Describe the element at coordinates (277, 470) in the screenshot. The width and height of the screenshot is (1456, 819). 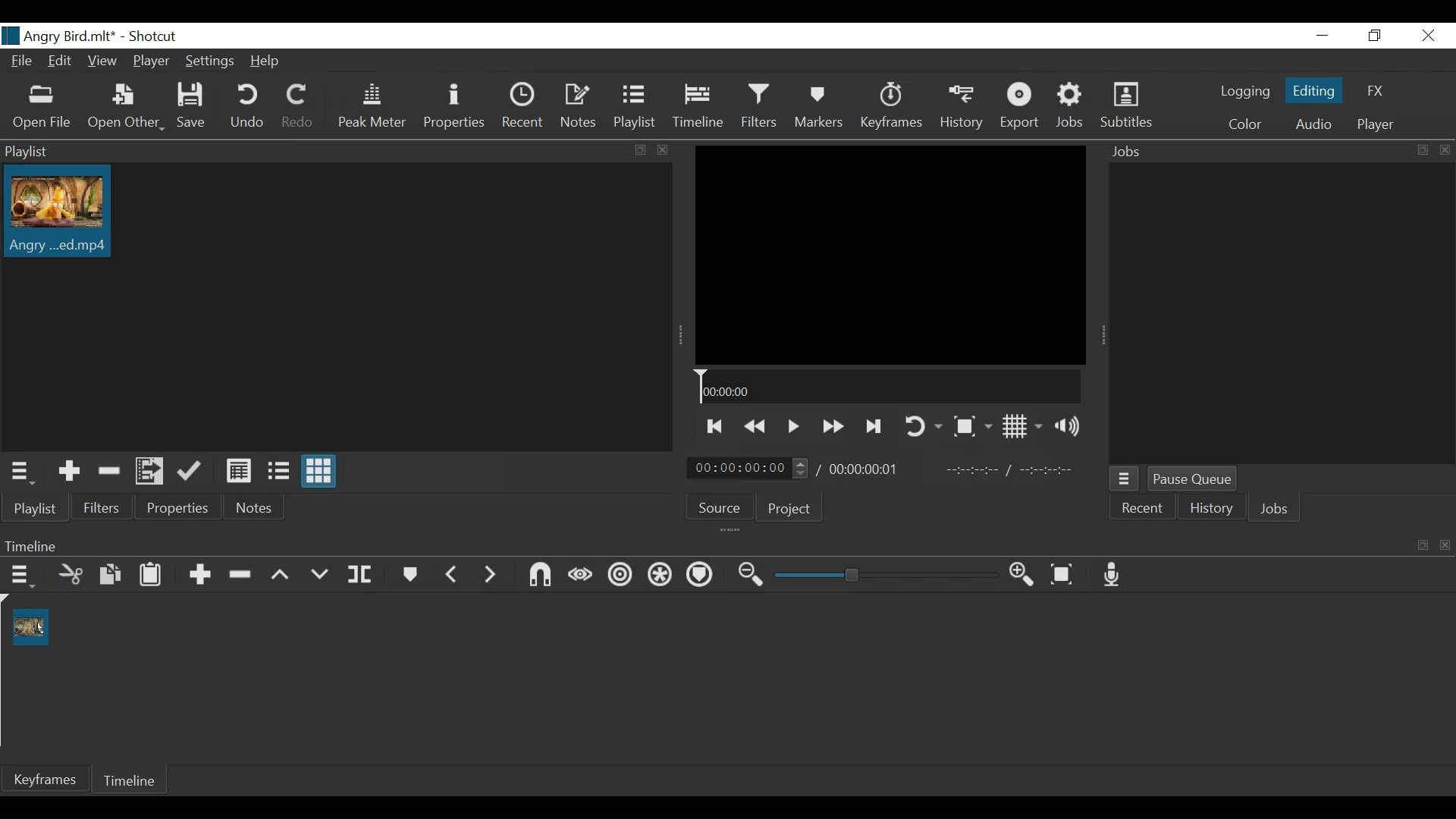
I see `View as files` at that location.